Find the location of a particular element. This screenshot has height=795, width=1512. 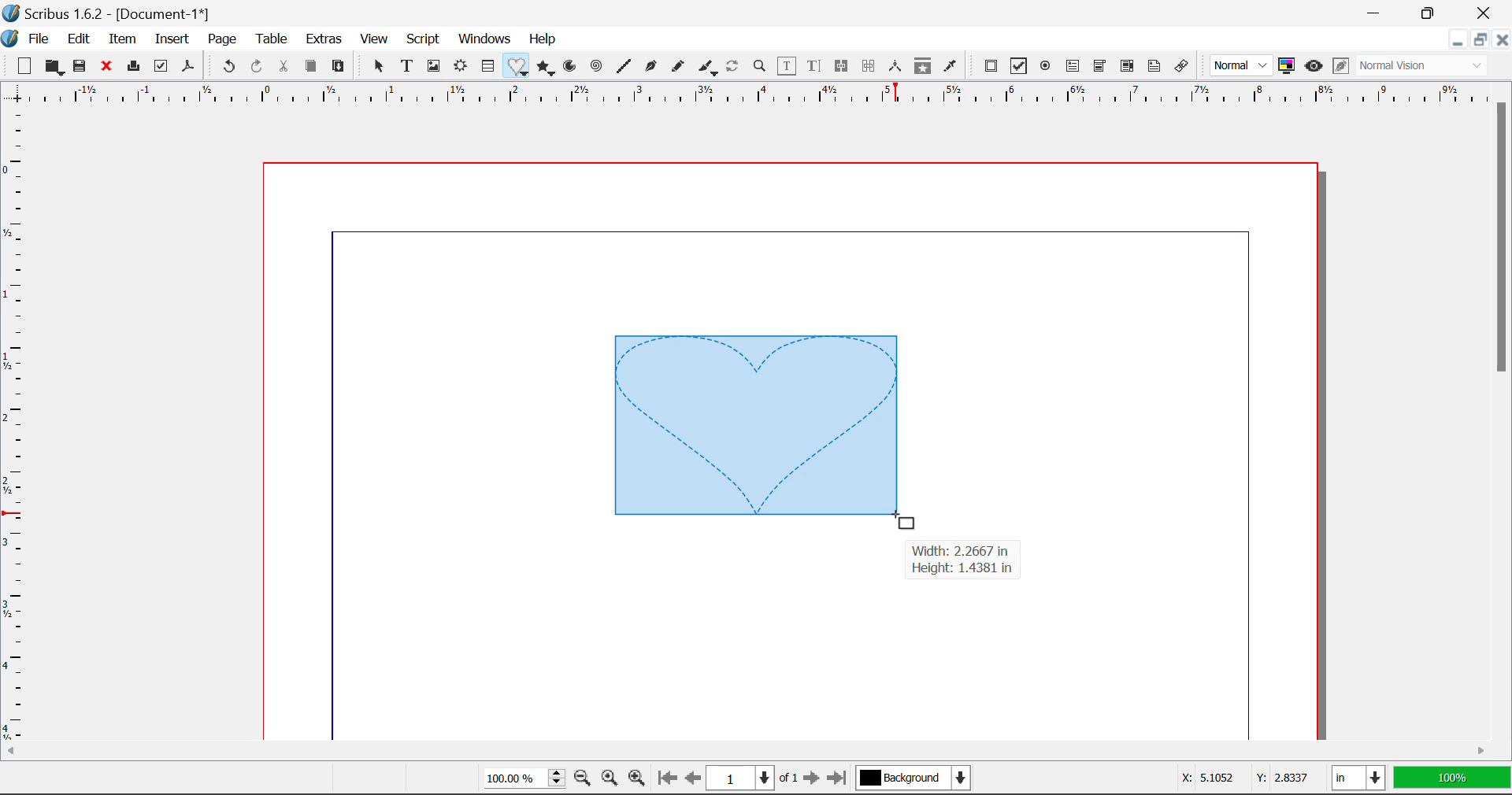

100% is located at coordinates (520, 780).